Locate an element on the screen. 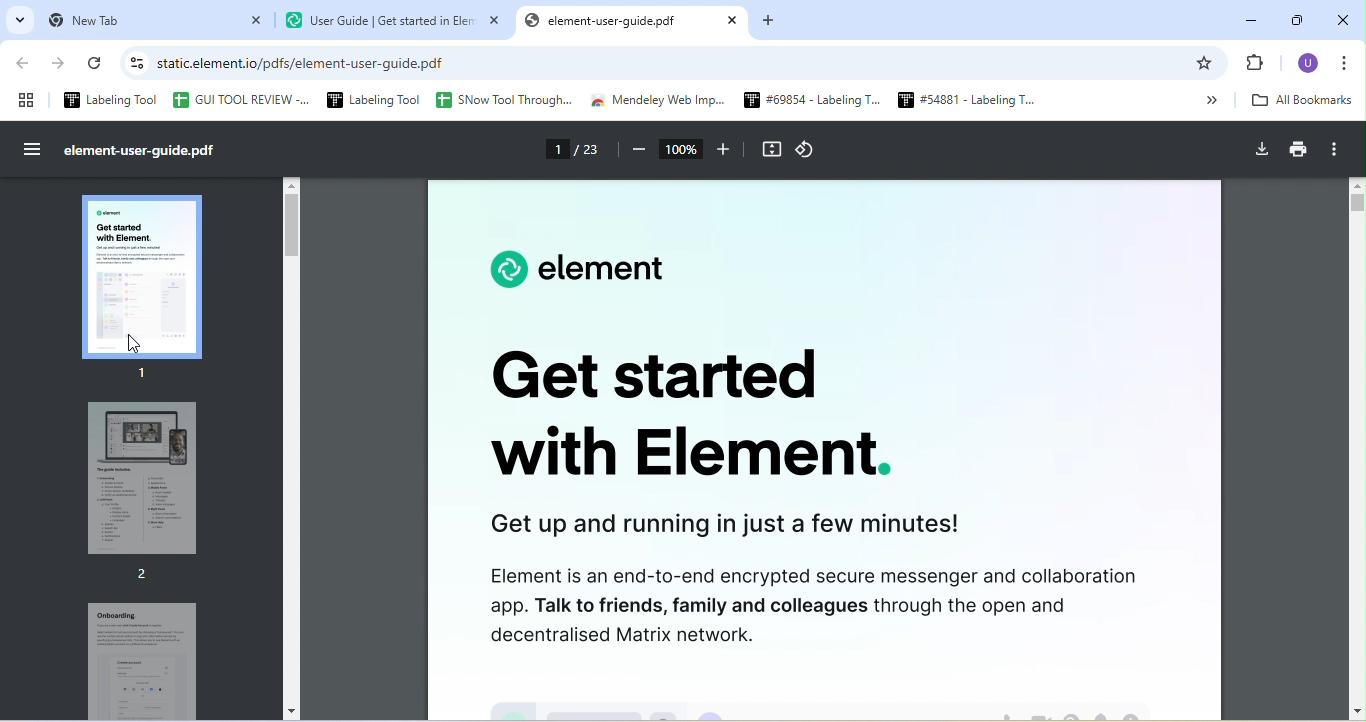 This screenshot has height=722, width=1366.  is located at coordinates (1261, 63).